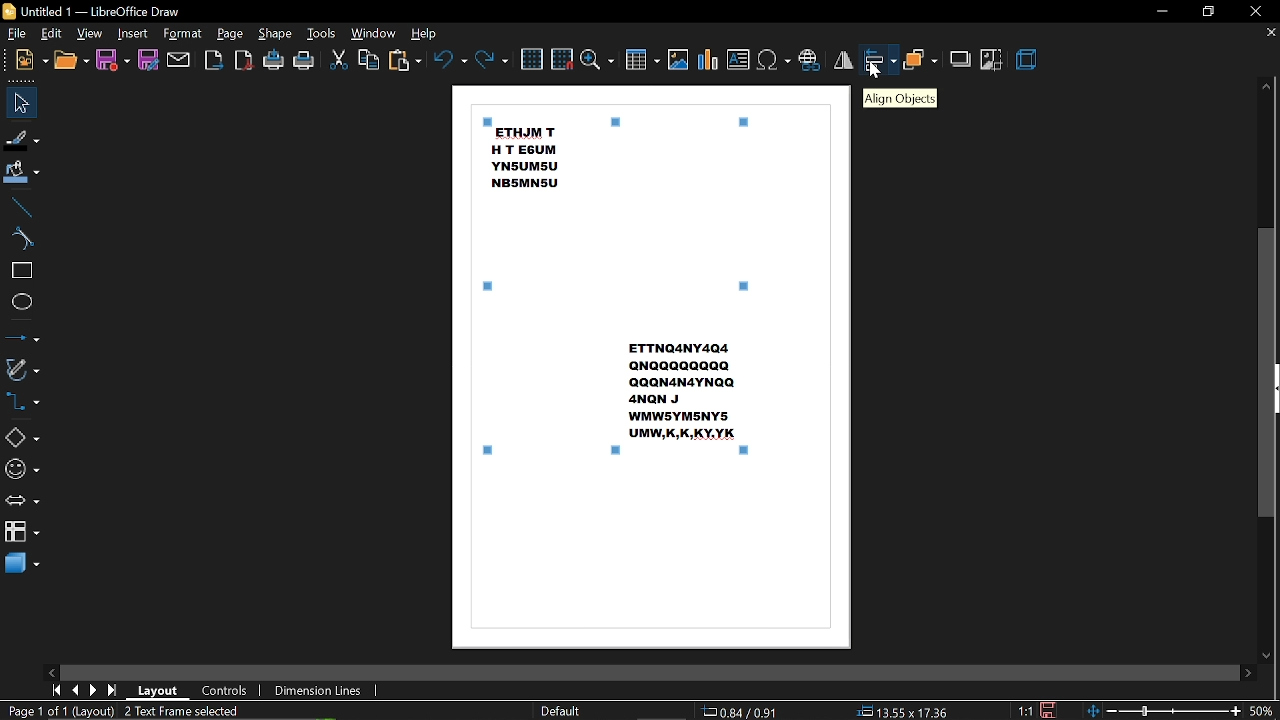 The image size is (1280, 720). I want to click on page 1 of 1, so click(36, 710).